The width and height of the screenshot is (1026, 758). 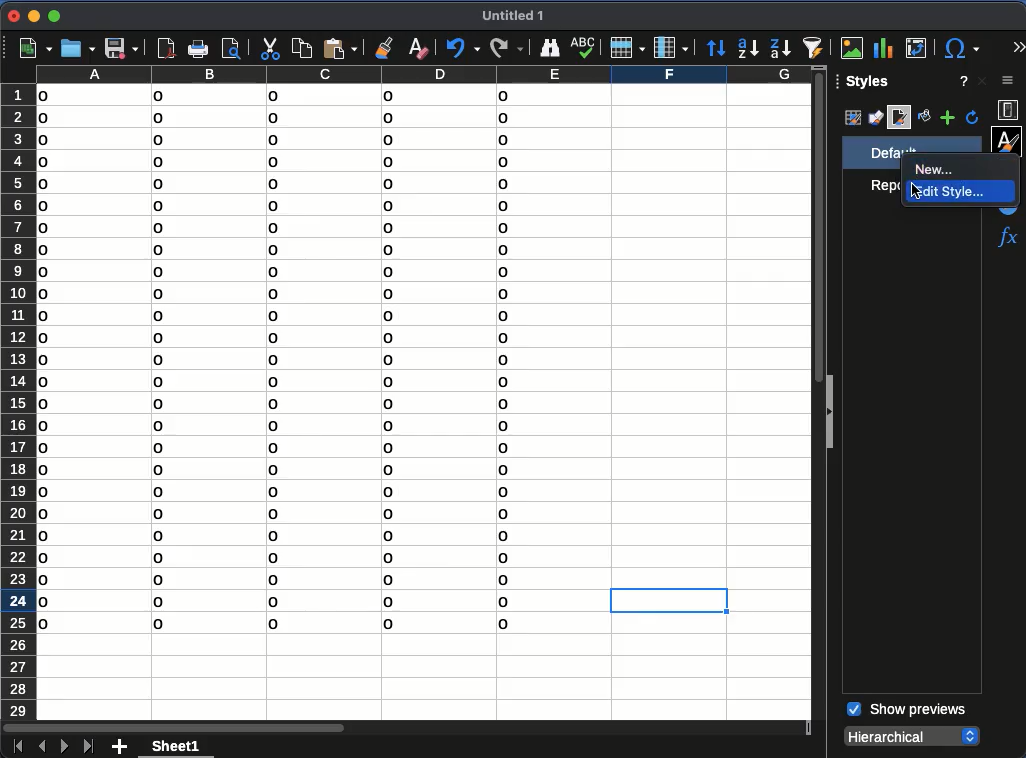 I want to click on cut, so click(x=269, y=49).